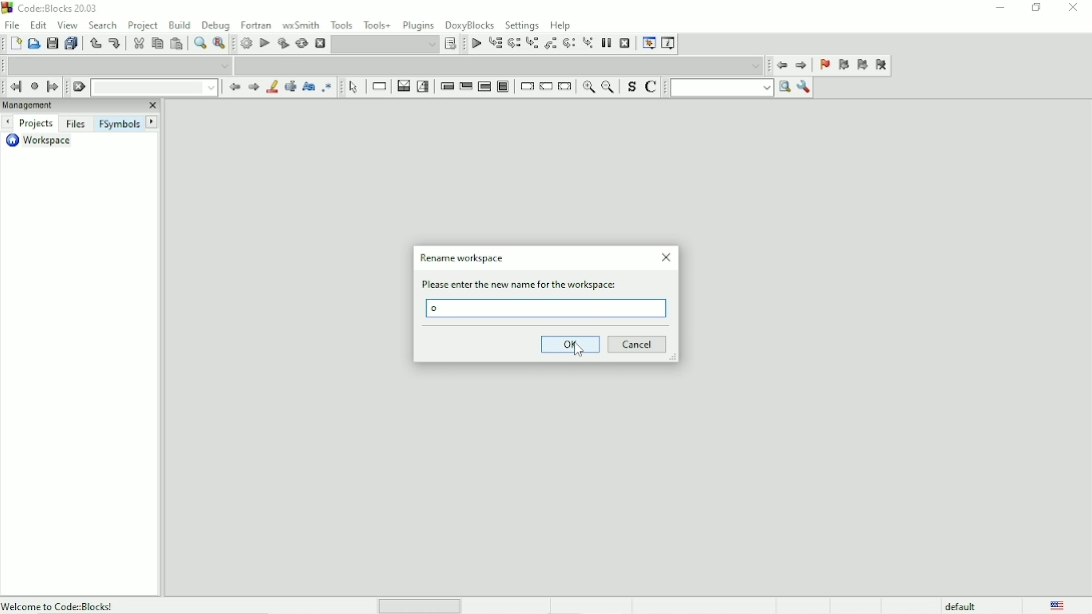 Image resolution: width=1092 pixels, height=614 pixels. What do you see at coordinates (220, 43) in the screenshot?
I see `Replace` at bounding box center [220, 43].